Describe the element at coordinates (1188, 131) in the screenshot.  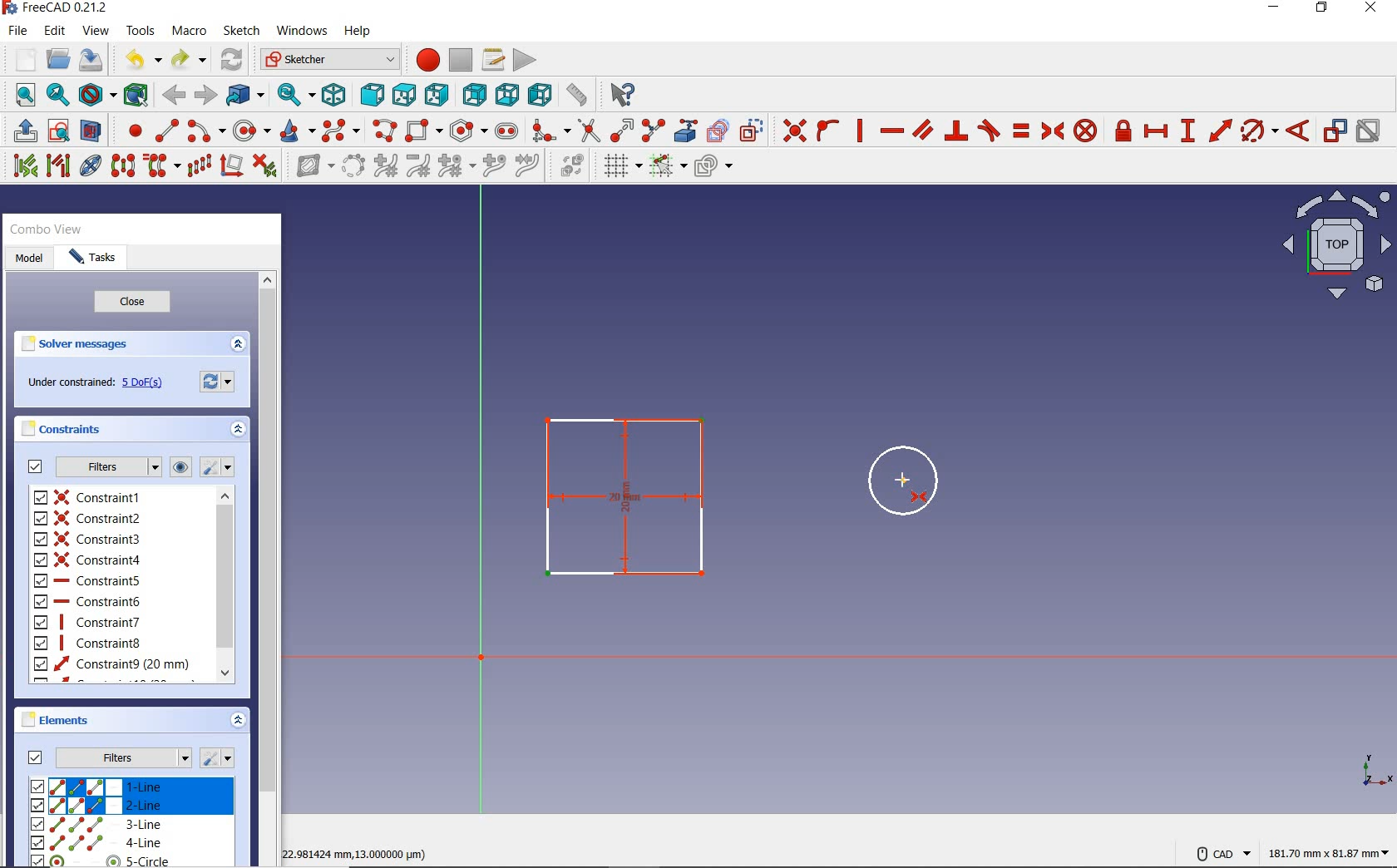
I see `constraint vertical distance` at that location.